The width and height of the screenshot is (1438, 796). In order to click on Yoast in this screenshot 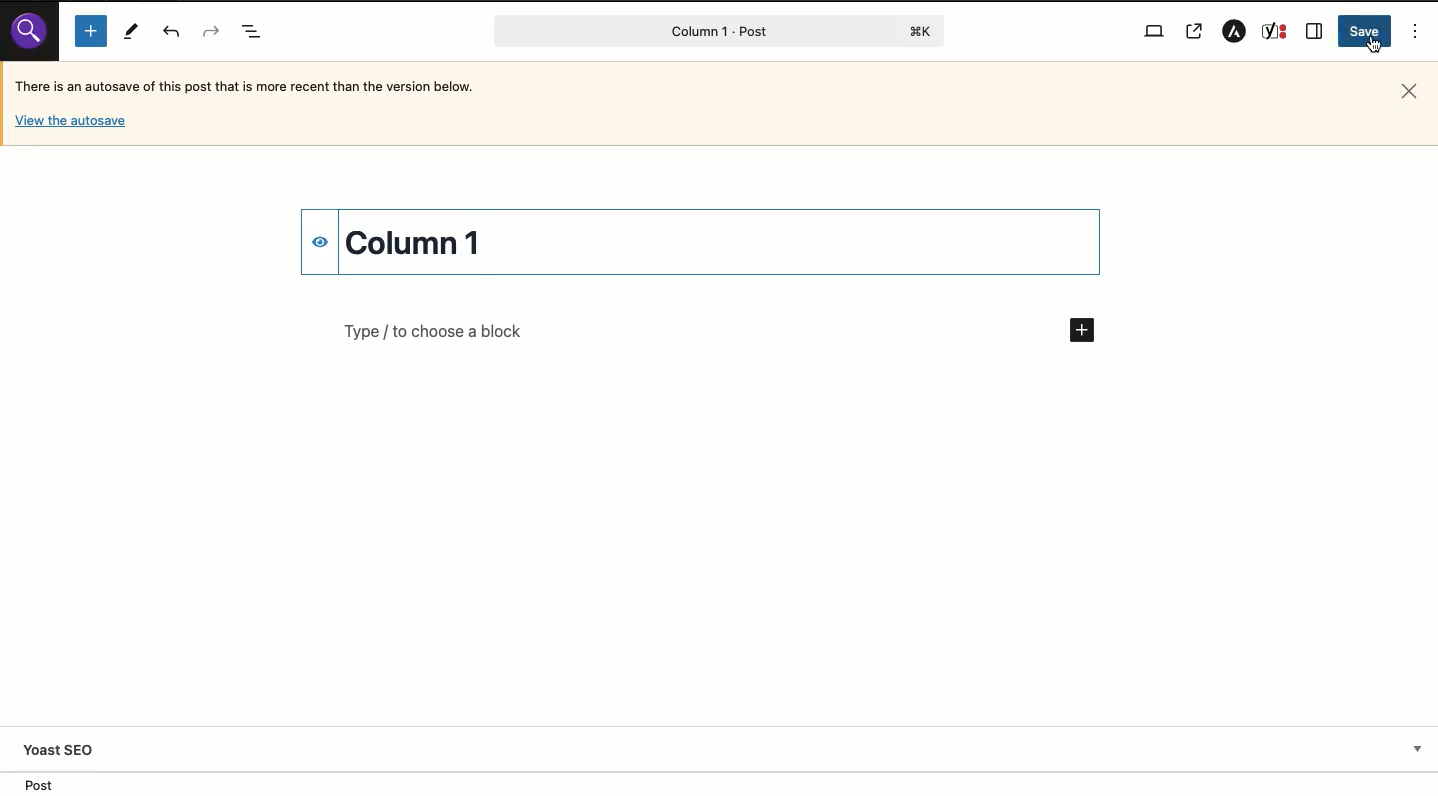, I will do `click(1274, 31)`.